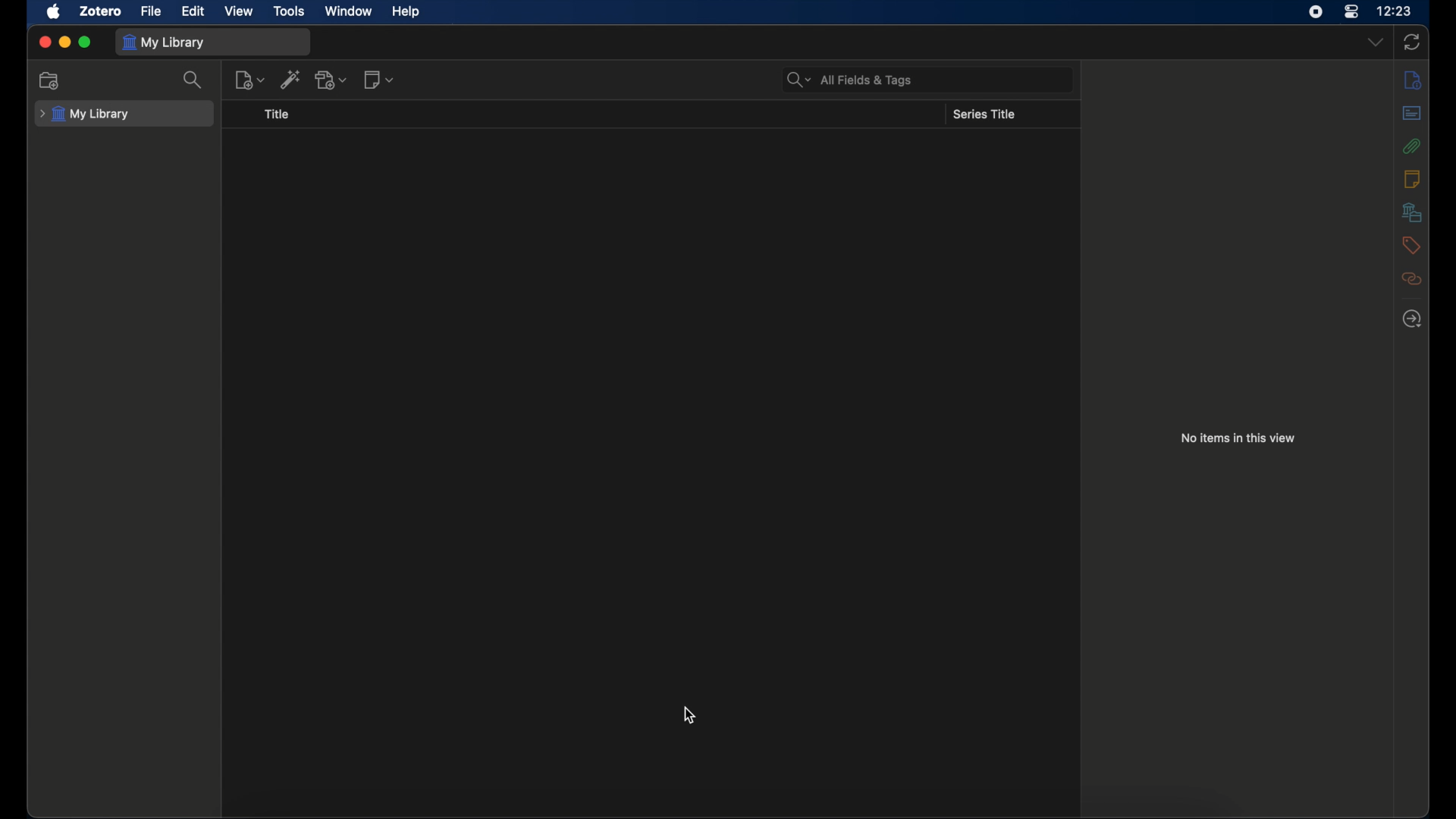  I want to click on screen recorder, so click(1316, 12).